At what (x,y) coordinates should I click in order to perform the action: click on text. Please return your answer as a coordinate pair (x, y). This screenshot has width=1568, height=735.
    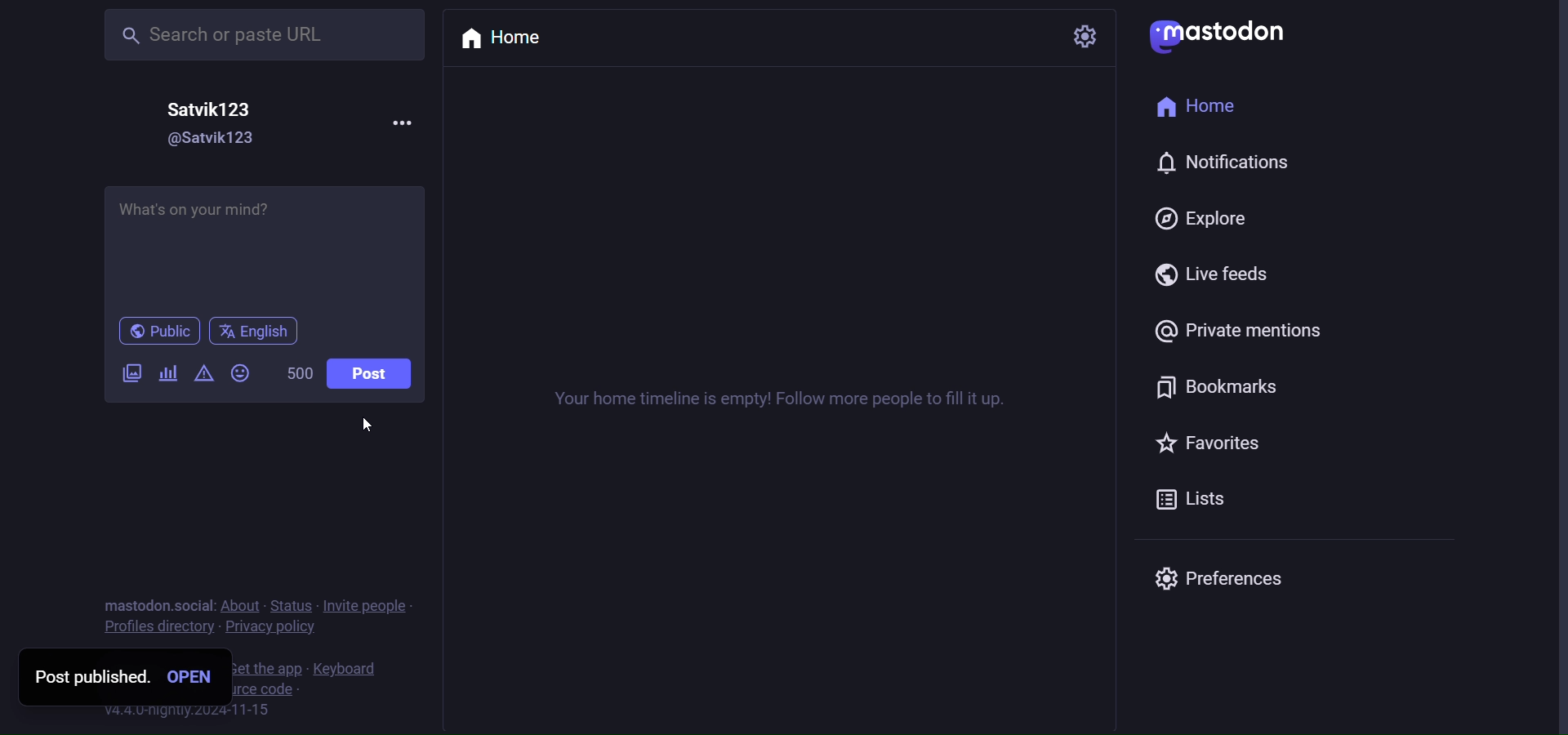
    Looking at the image, I should click on (158, 605).